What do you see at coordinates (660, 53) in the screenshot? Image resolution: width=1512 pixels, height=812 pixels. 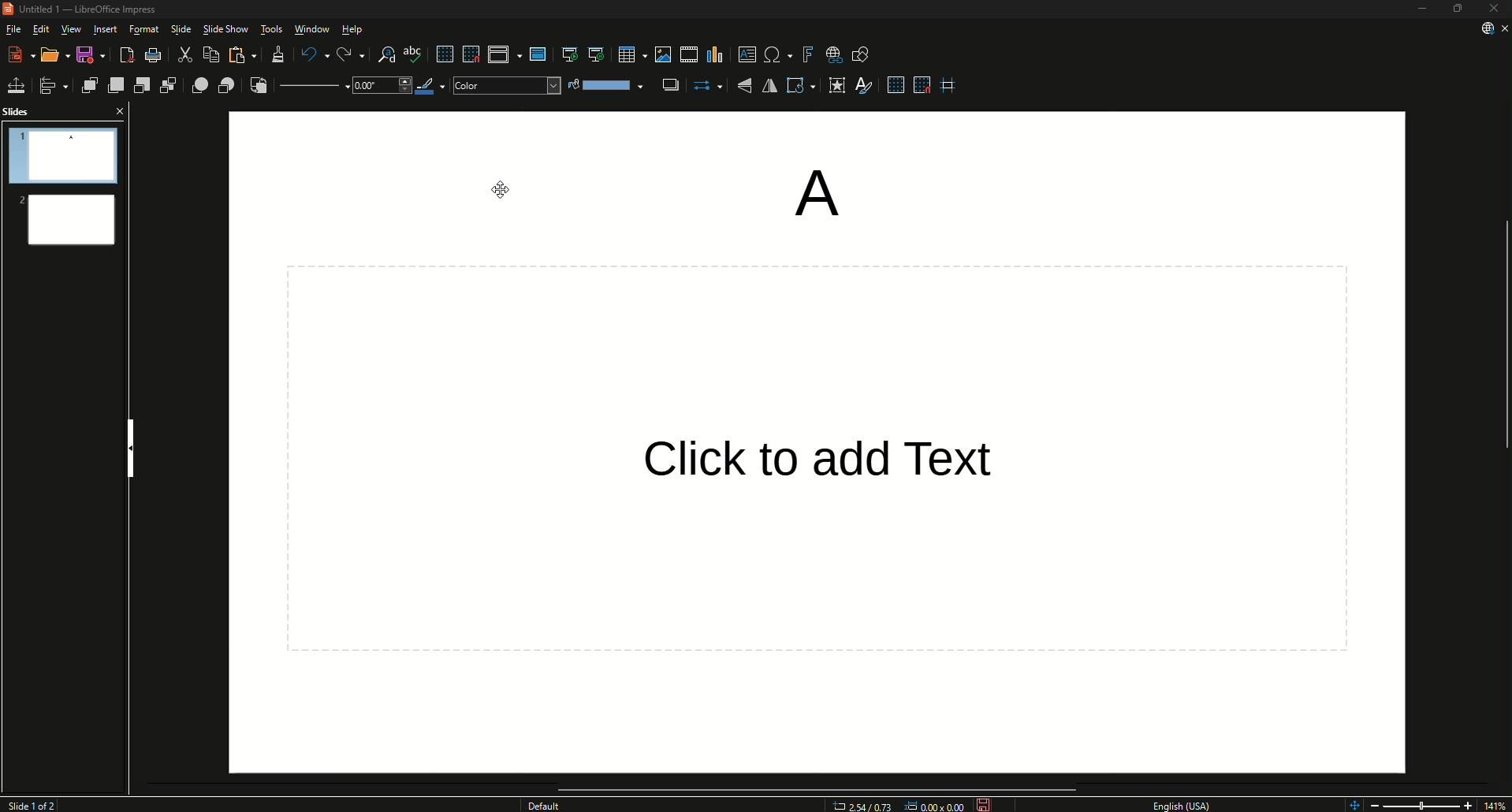 I see `Insert Image` at bounding box center [660, 53].